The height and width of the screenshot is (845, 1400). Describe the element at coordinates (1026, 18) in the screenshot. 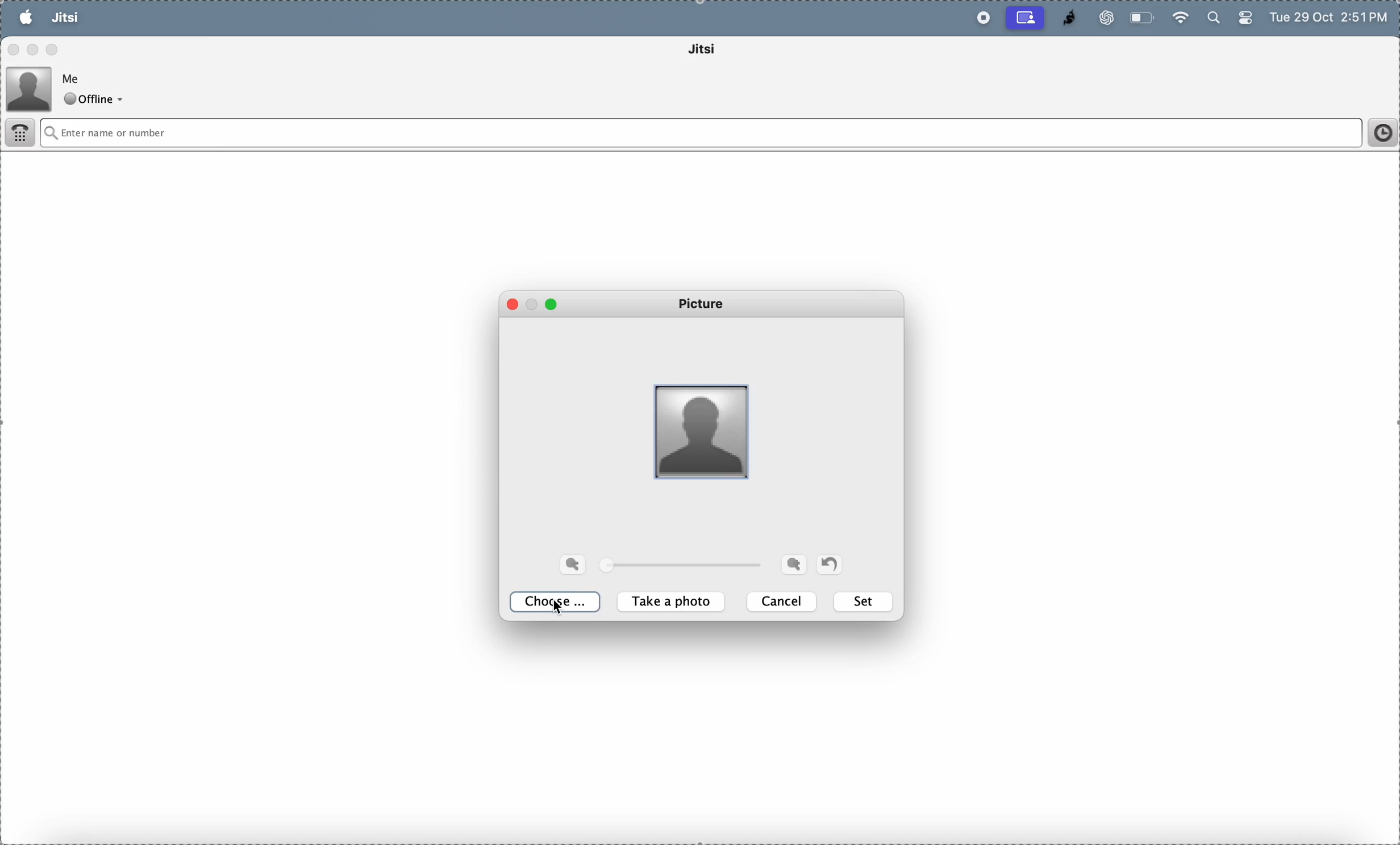

I see `cast` at that location.